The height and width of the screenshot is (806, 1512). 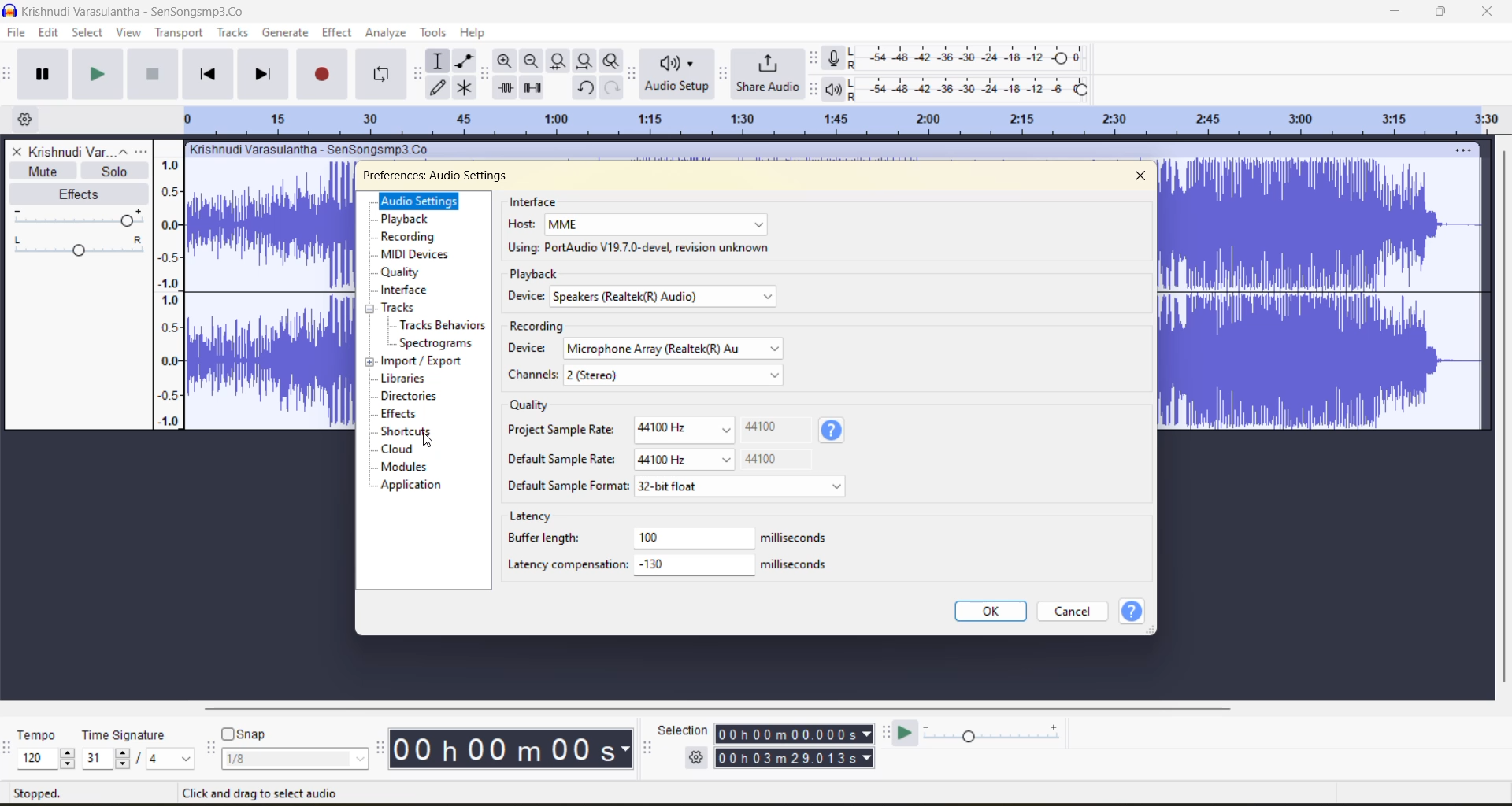 What do you see at coordinates (413, 415) in the screenshot?
I see `effects` at bounding box center [413, 415].